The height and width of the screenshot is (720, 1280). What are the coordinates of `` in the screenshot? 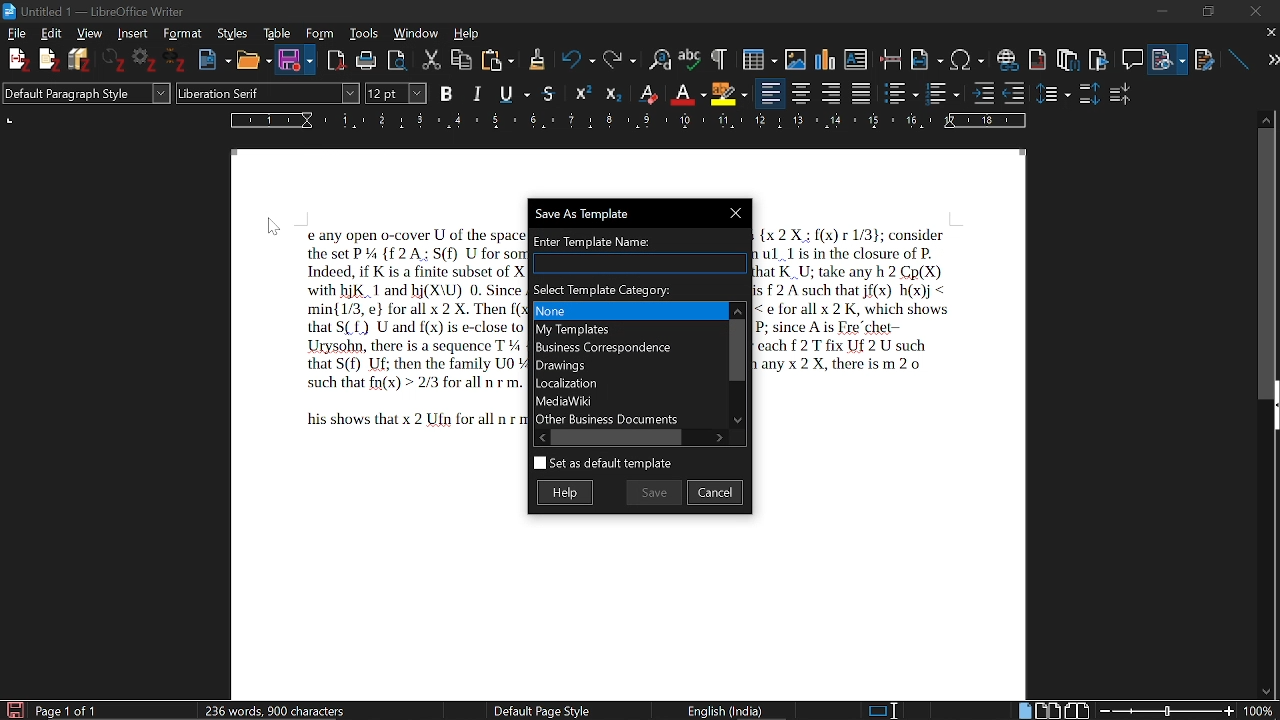 It's located at (178, 62).